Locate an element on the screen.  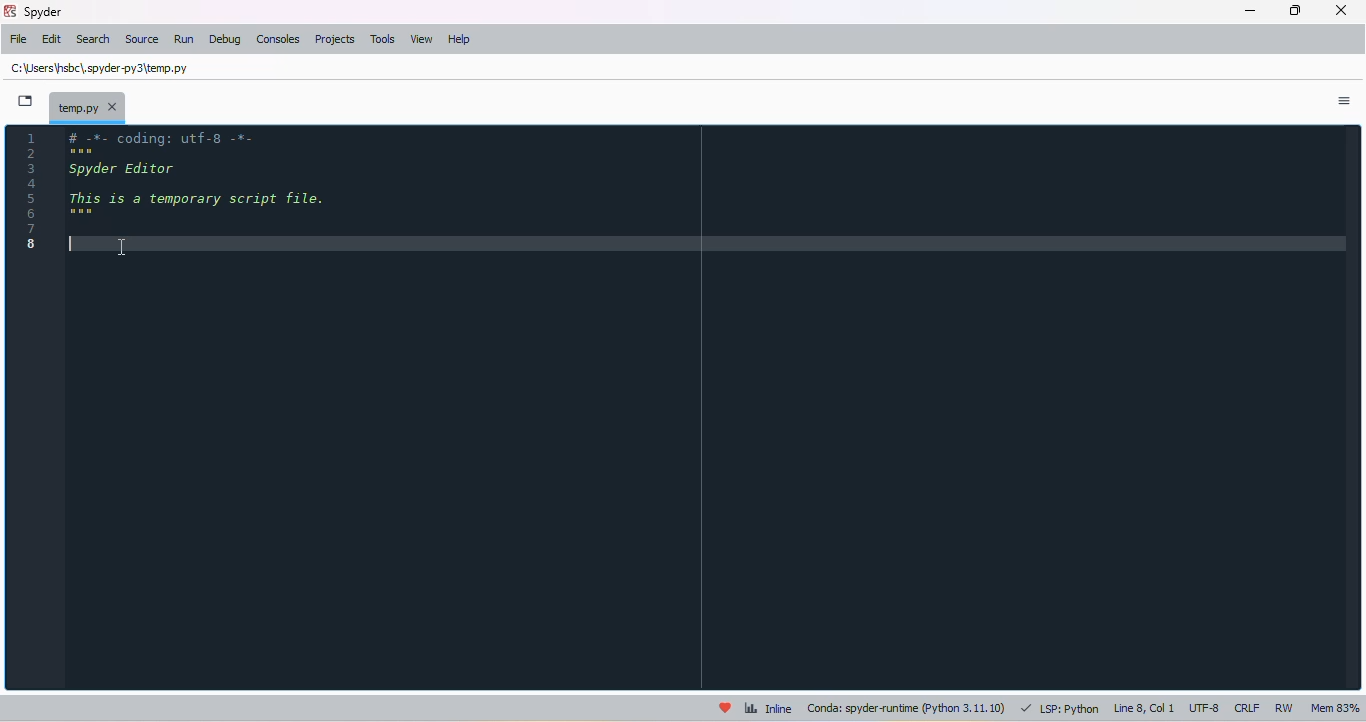
search is located at coordinates (94, 40).